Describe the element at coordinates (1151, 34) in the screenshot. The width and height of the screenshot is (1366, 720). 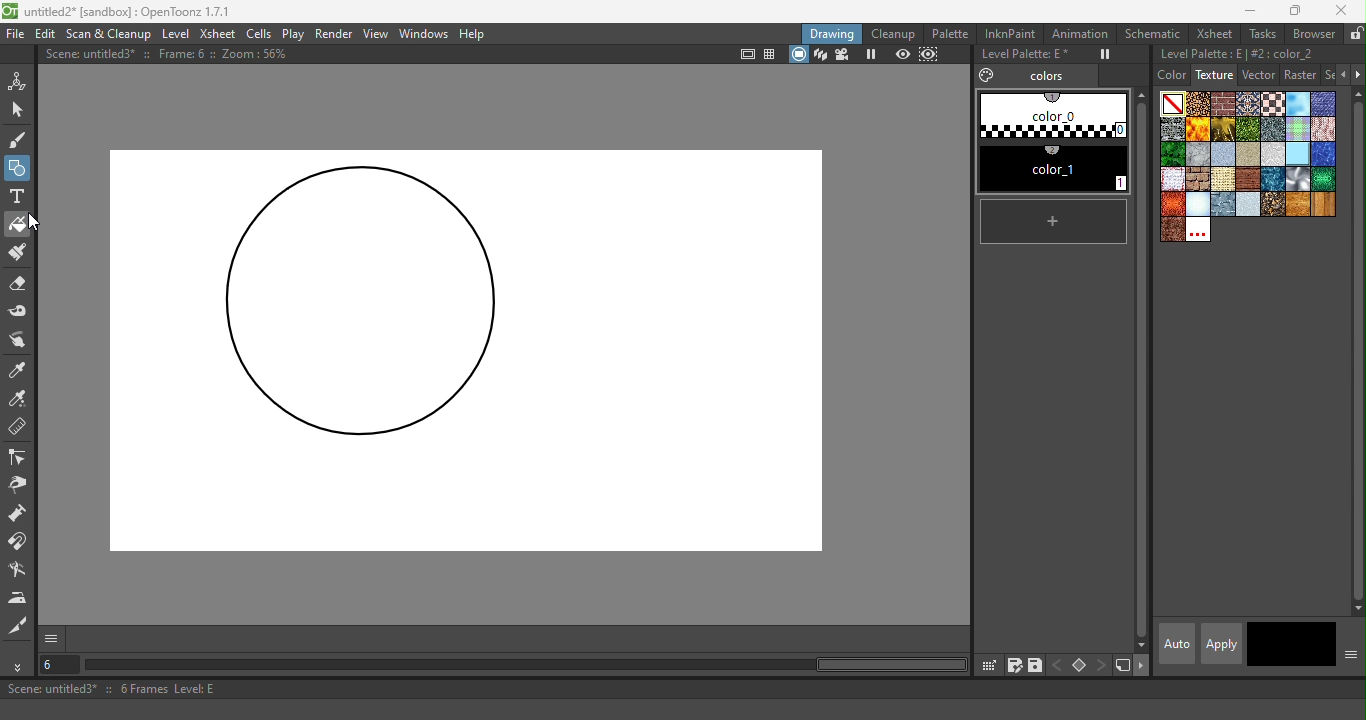
I see `Schematic` at that location.